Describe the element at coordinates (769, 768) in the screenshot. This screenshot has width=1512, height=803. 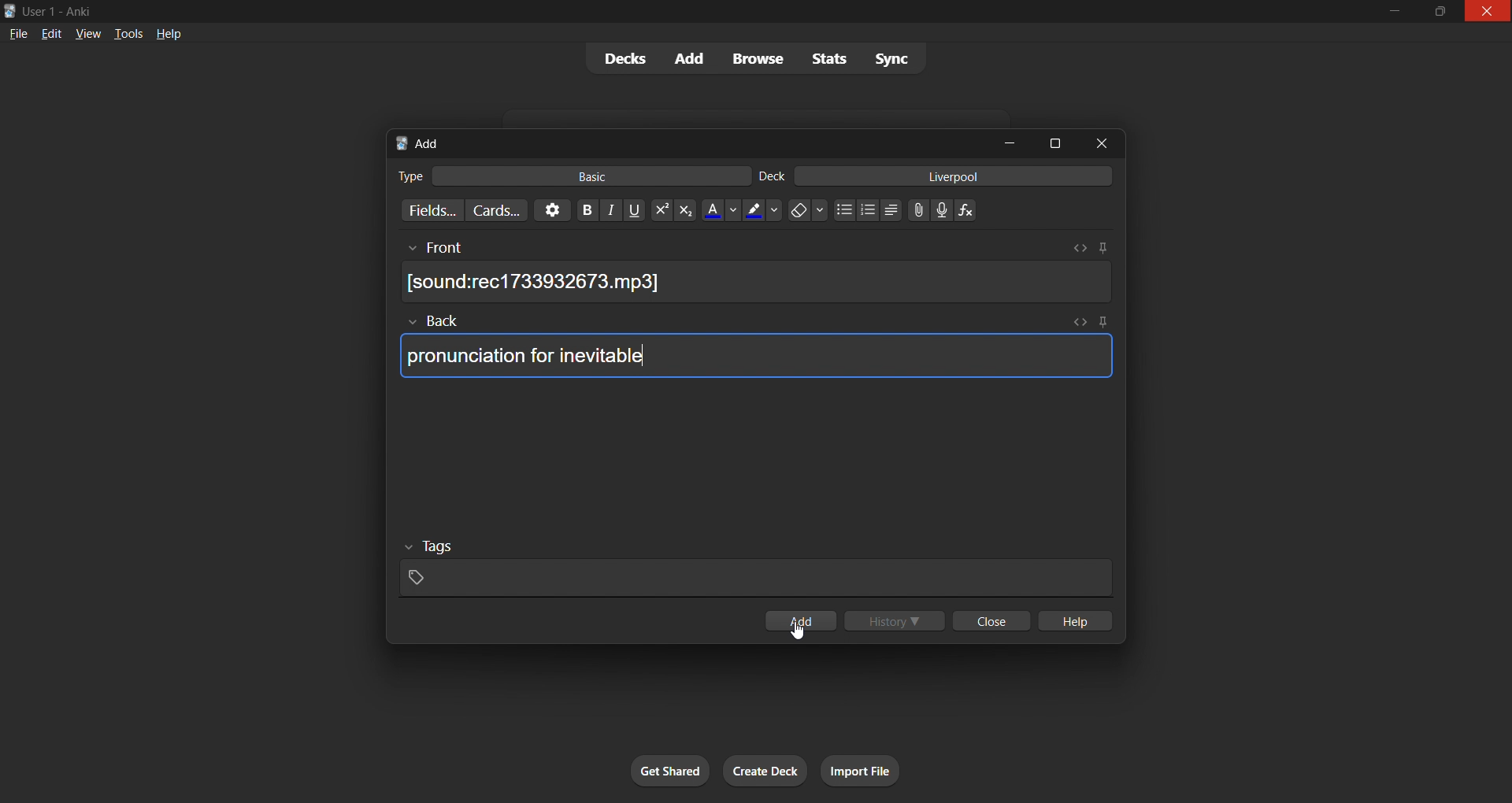
I see `create deck` at that location.